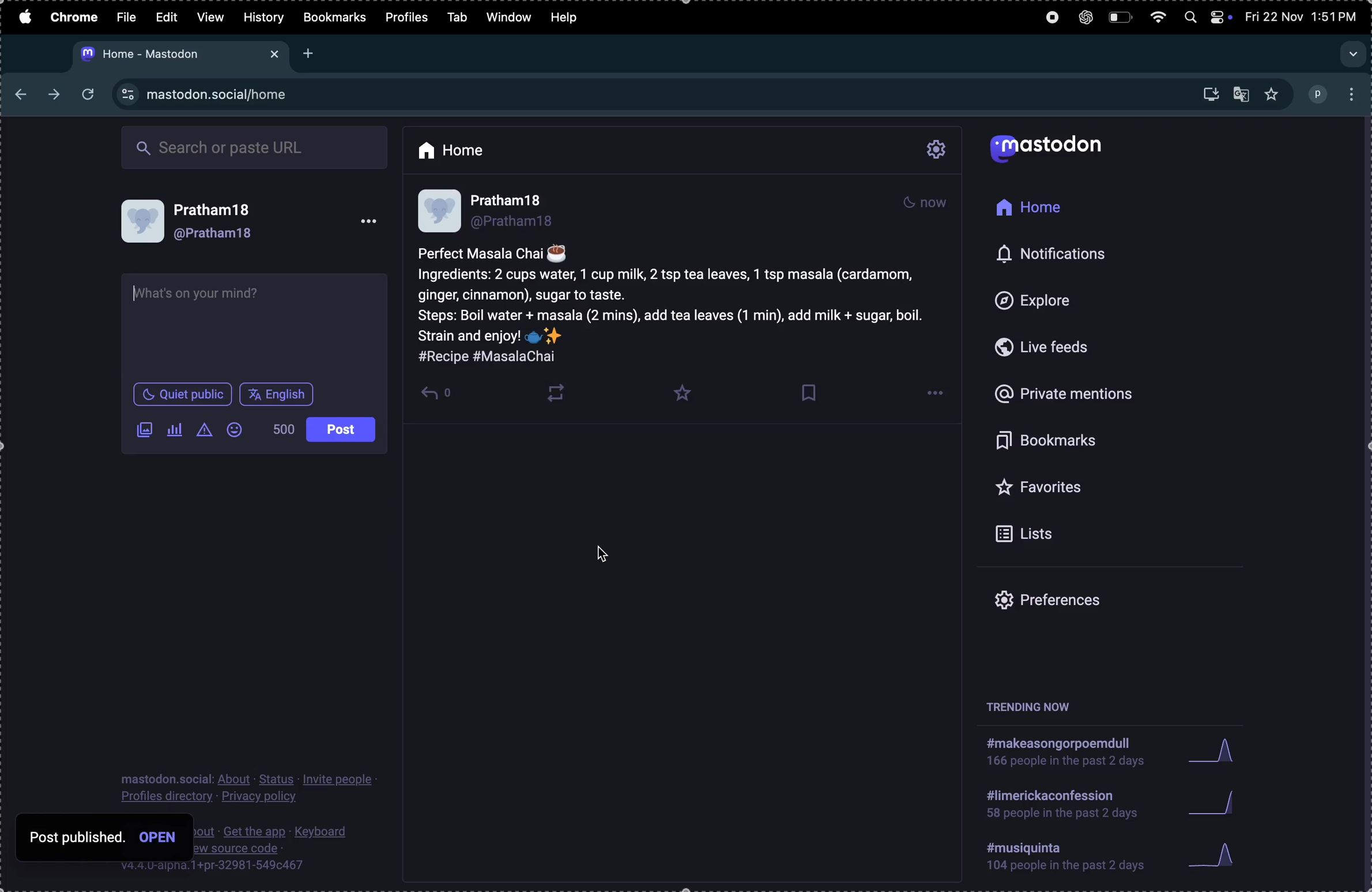 This screenshot has width=1372, height=892. I want to click on add image, so click(138, 429).